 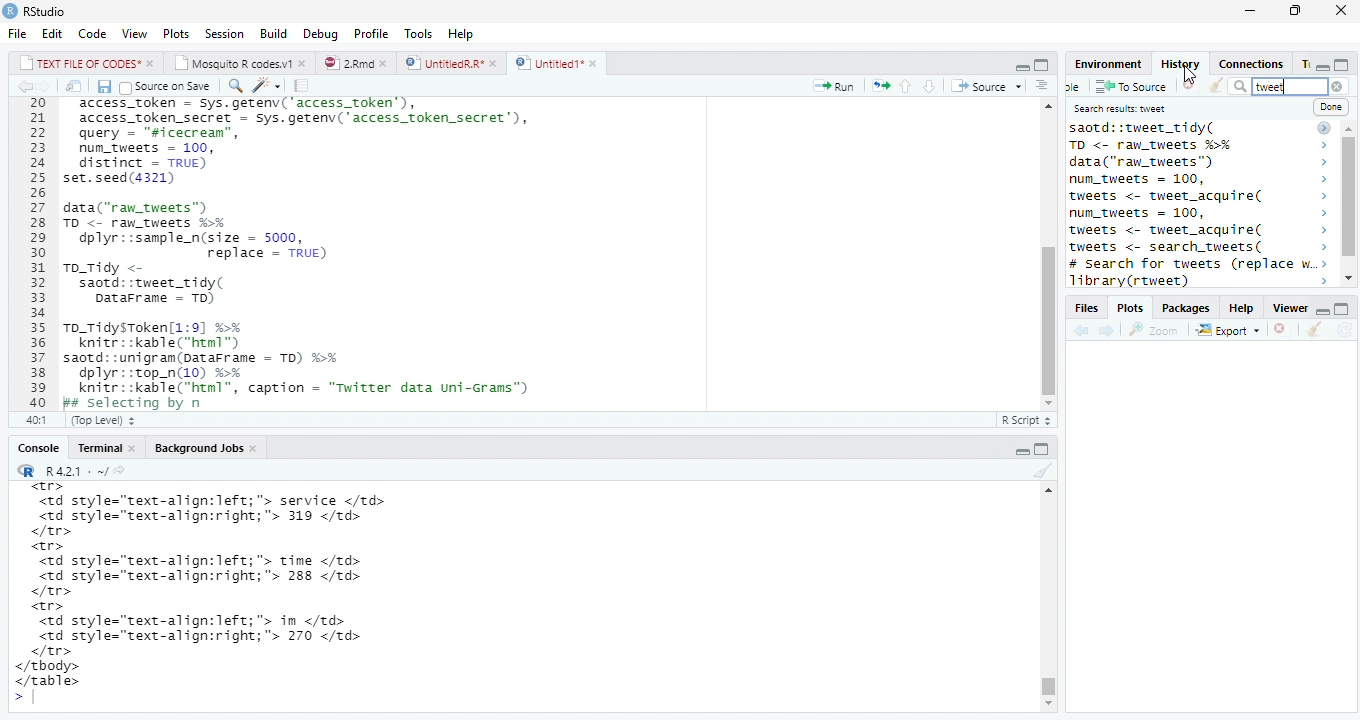 What do you see at coordinates (208, 447) in the screenshot?
I see `Background Jobs` at bounding box center [208, 447].